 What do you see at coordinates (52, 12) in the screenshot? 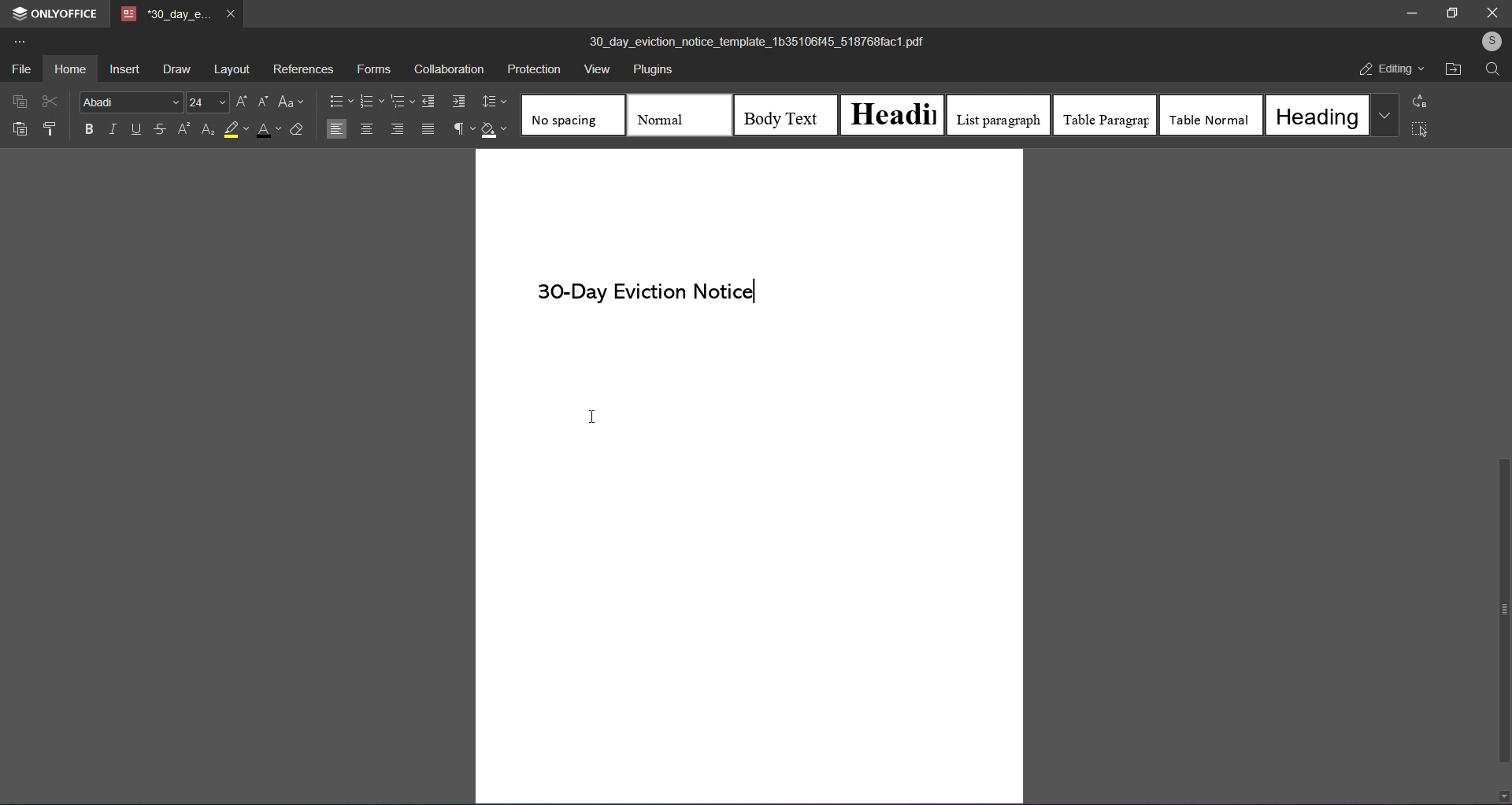
I see `onlyoffice` at bounding box center [52, 12].